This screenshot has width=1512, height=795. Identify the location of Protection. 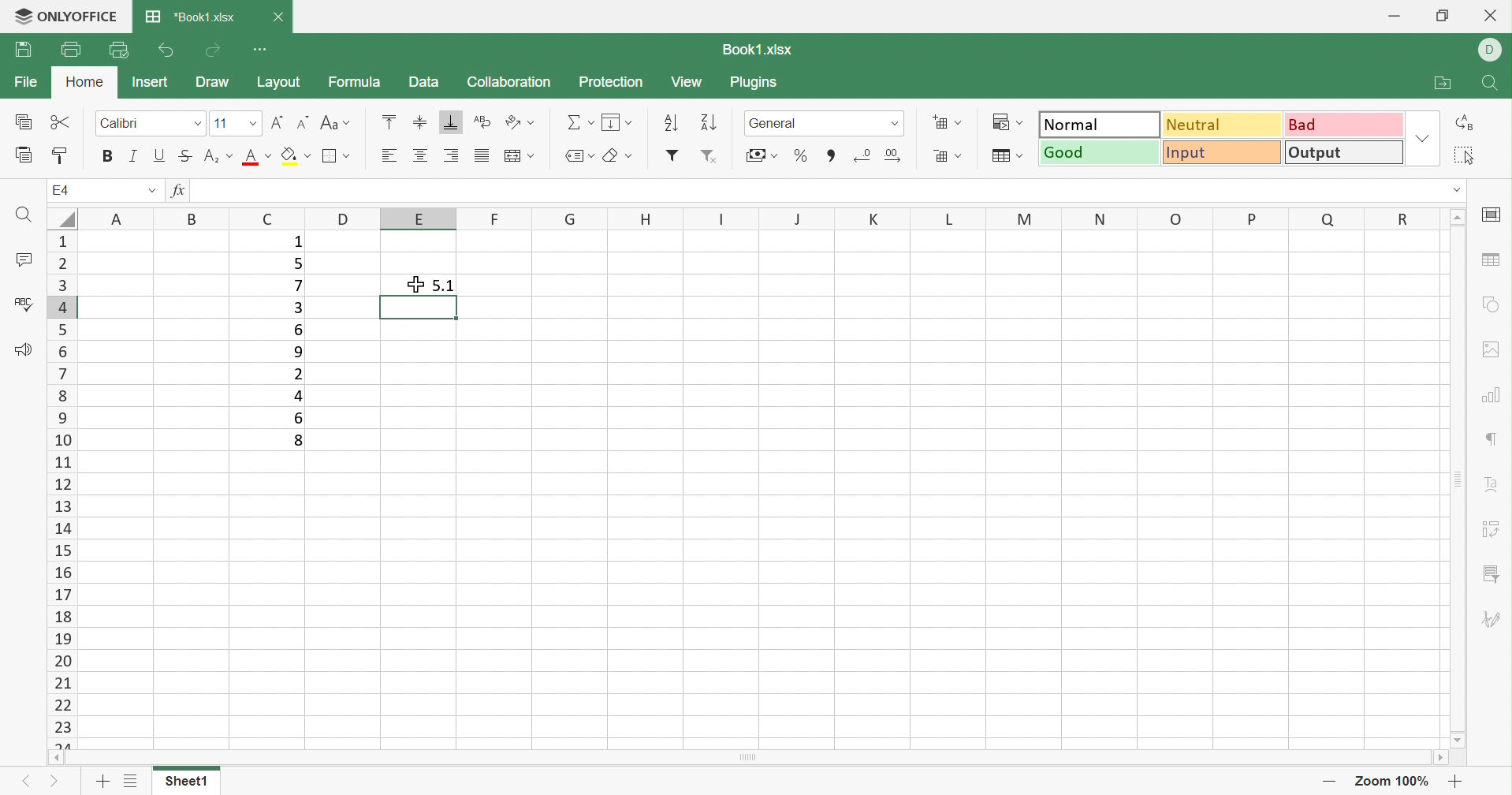
(612, 83).